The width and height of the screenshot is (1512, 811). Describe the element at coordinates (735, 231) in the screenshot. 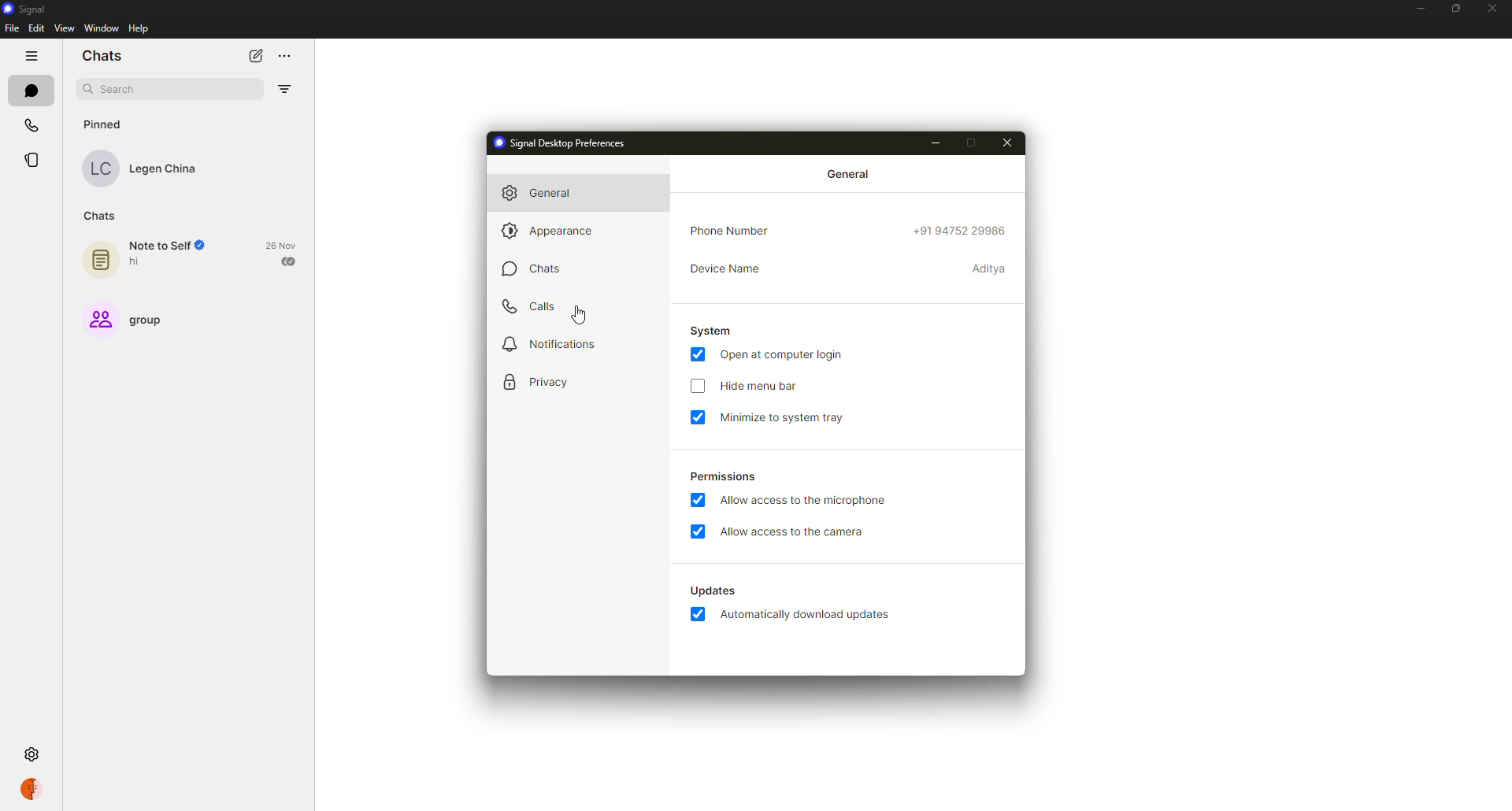

I see `phone number` at that location.